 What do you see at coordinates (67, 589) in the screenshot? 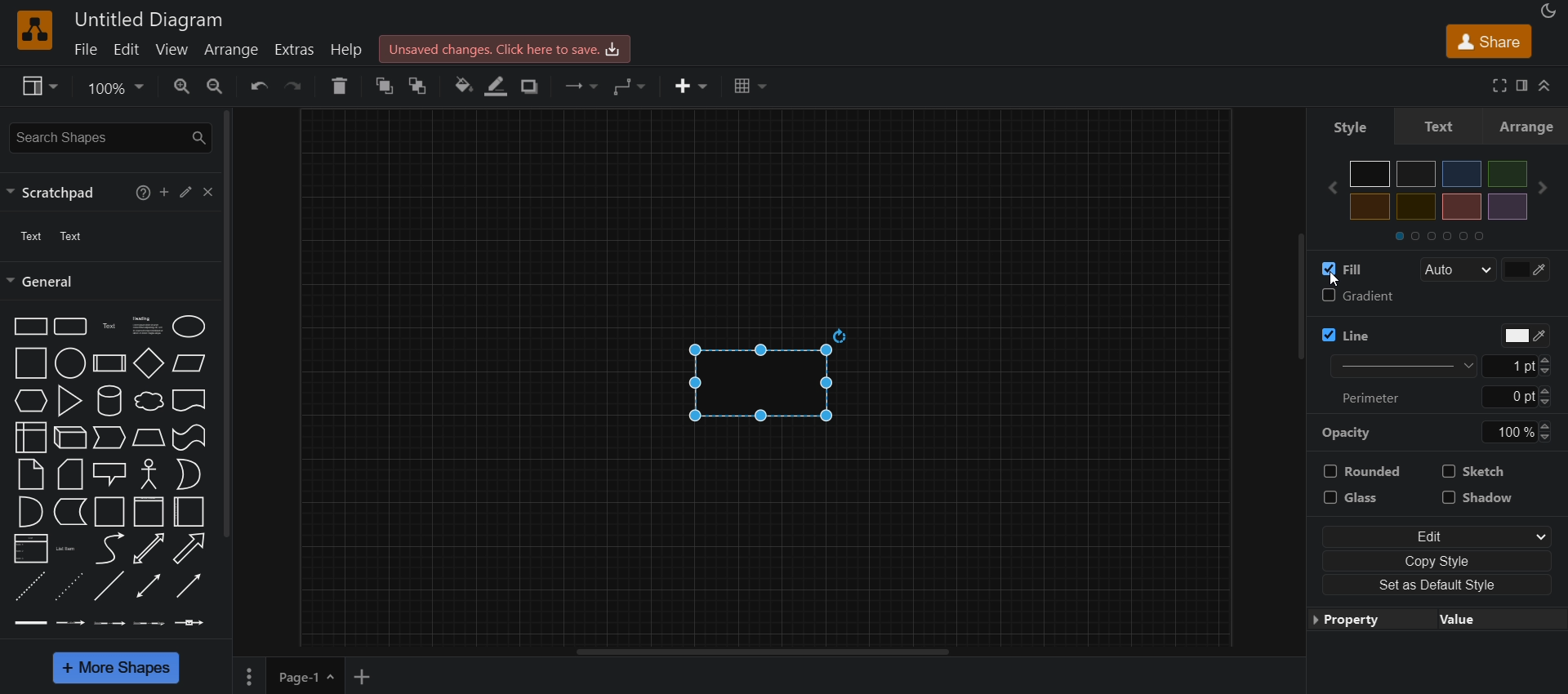
I see `dotted line` at bounding box center [67, 589].